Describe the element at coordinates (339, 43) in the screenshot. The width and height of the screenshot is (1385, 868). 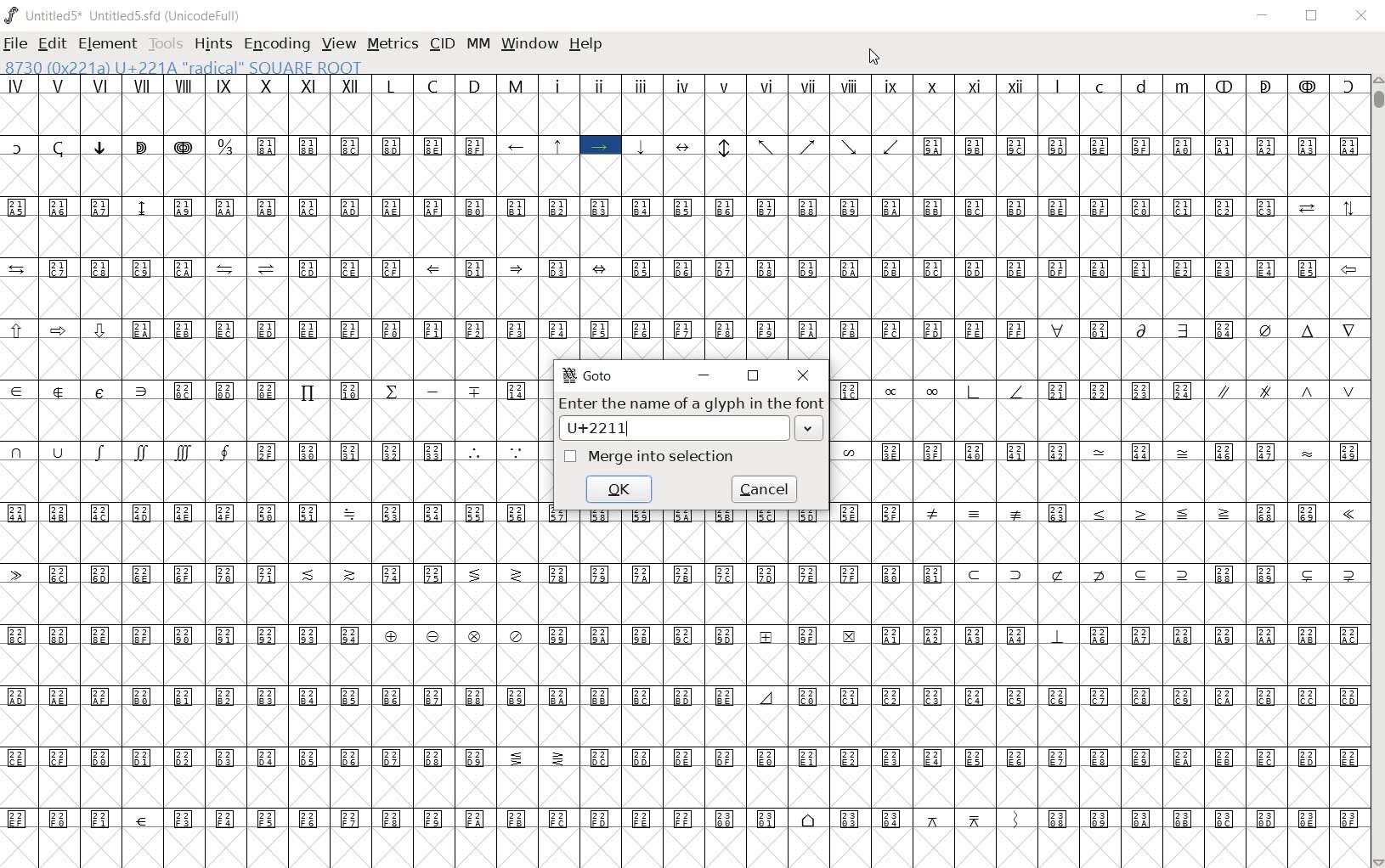
I see `VIEW` at that location.